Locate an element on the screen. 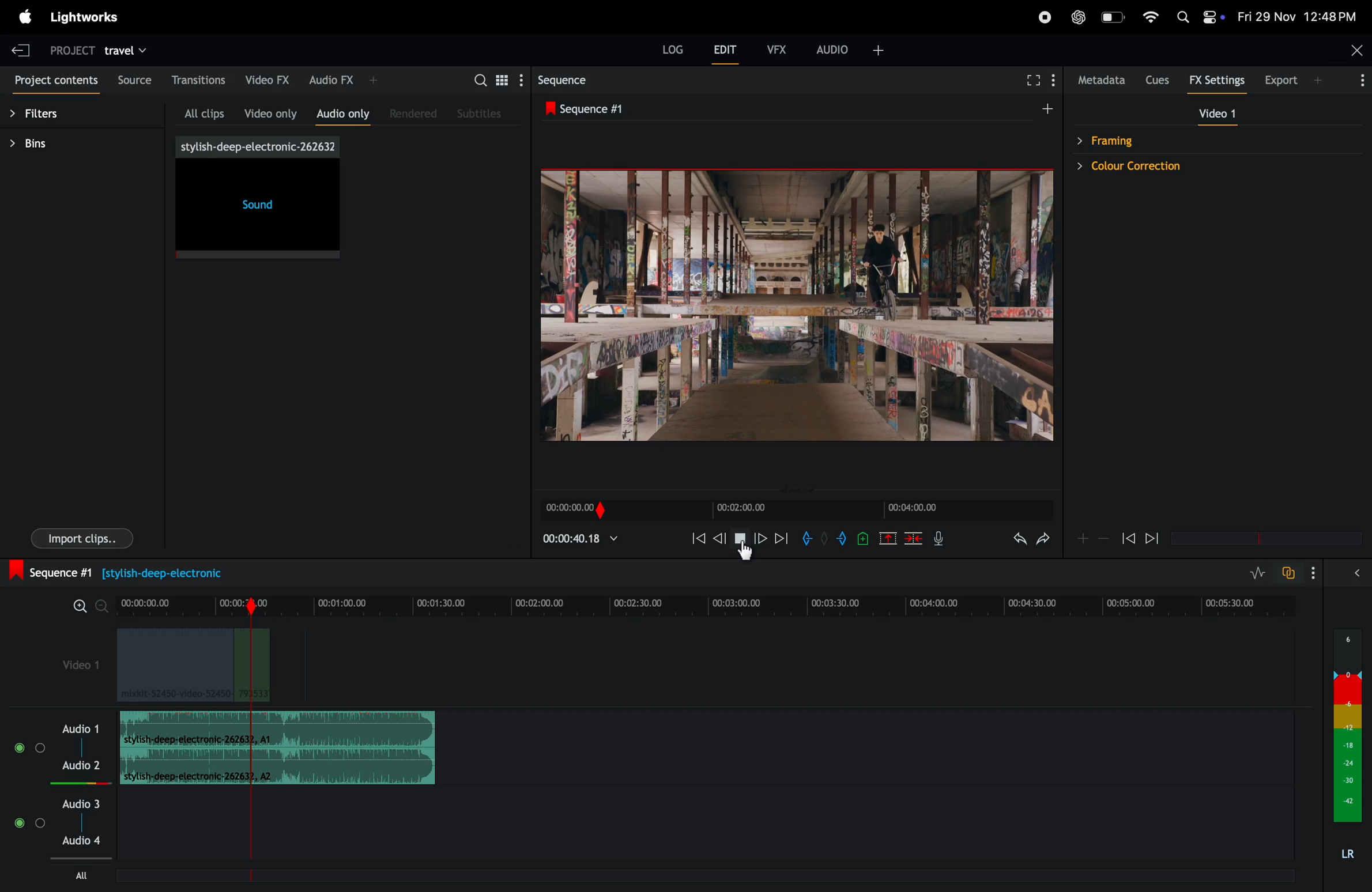 The height and width of the screenshot is (892, 1372). time frame is located at coordinates (798, 508).